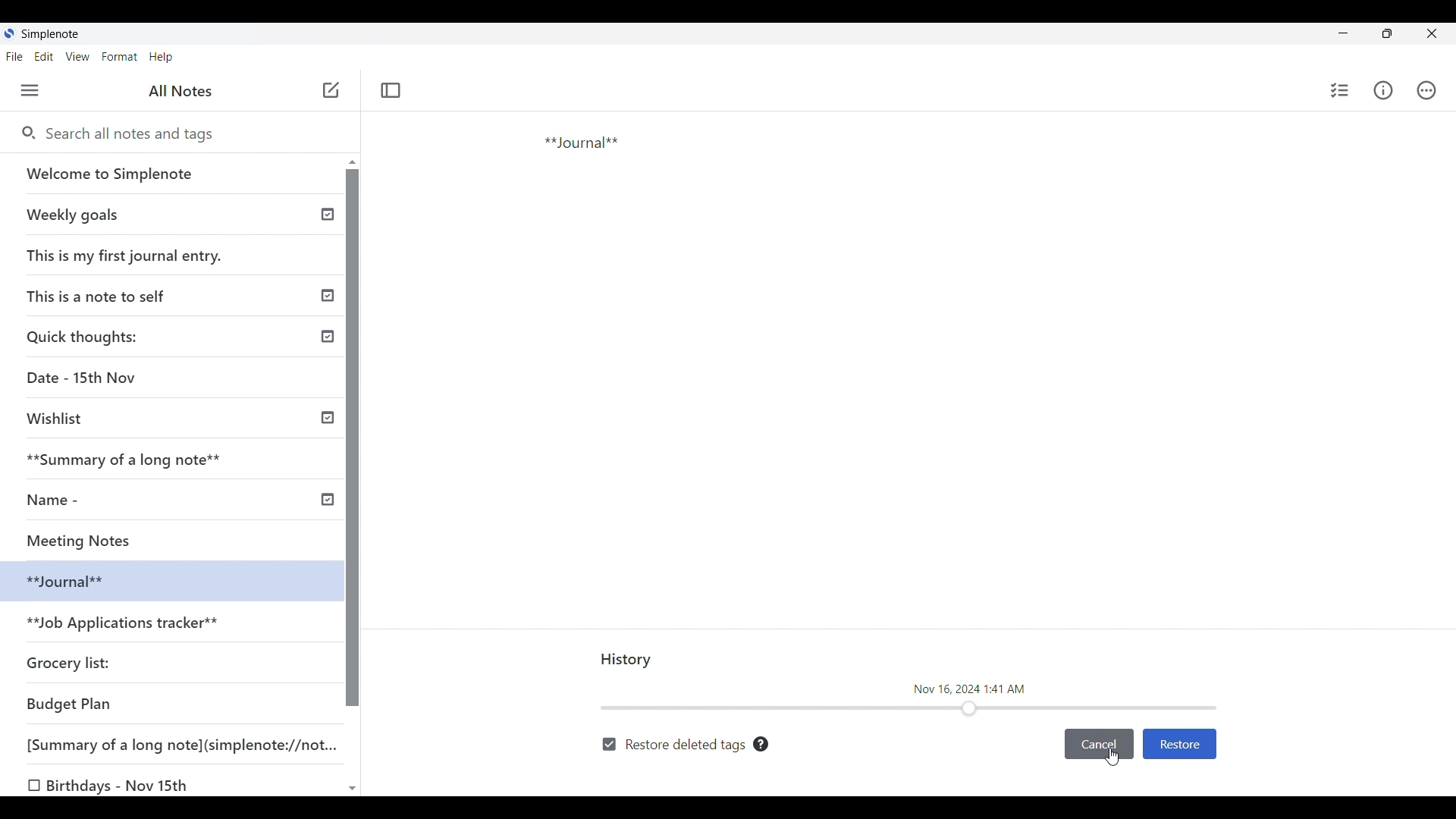  I want to click on File menu, so click(15, 57).